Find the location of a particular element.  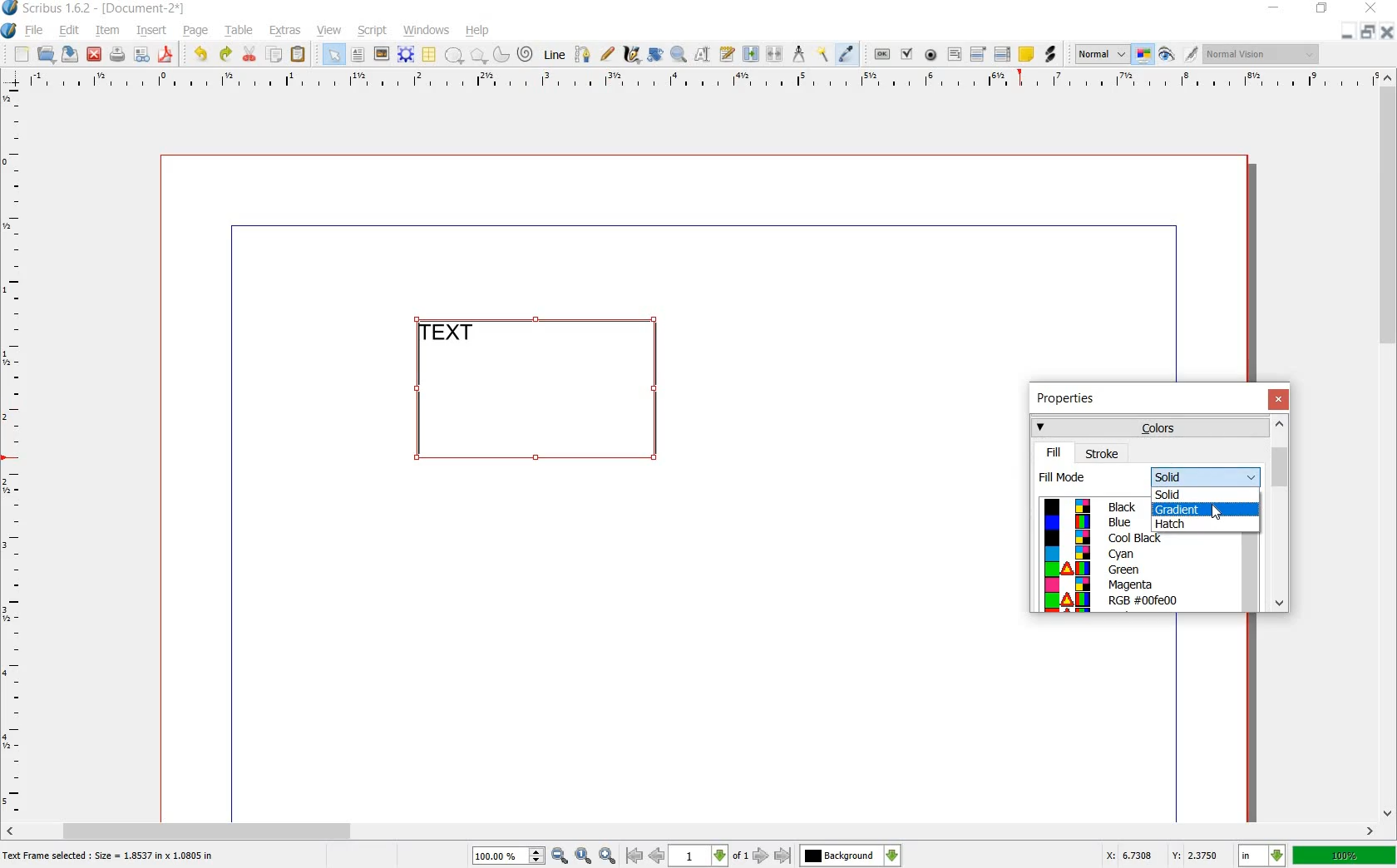

freehand line is located at coordinates (607, 53).